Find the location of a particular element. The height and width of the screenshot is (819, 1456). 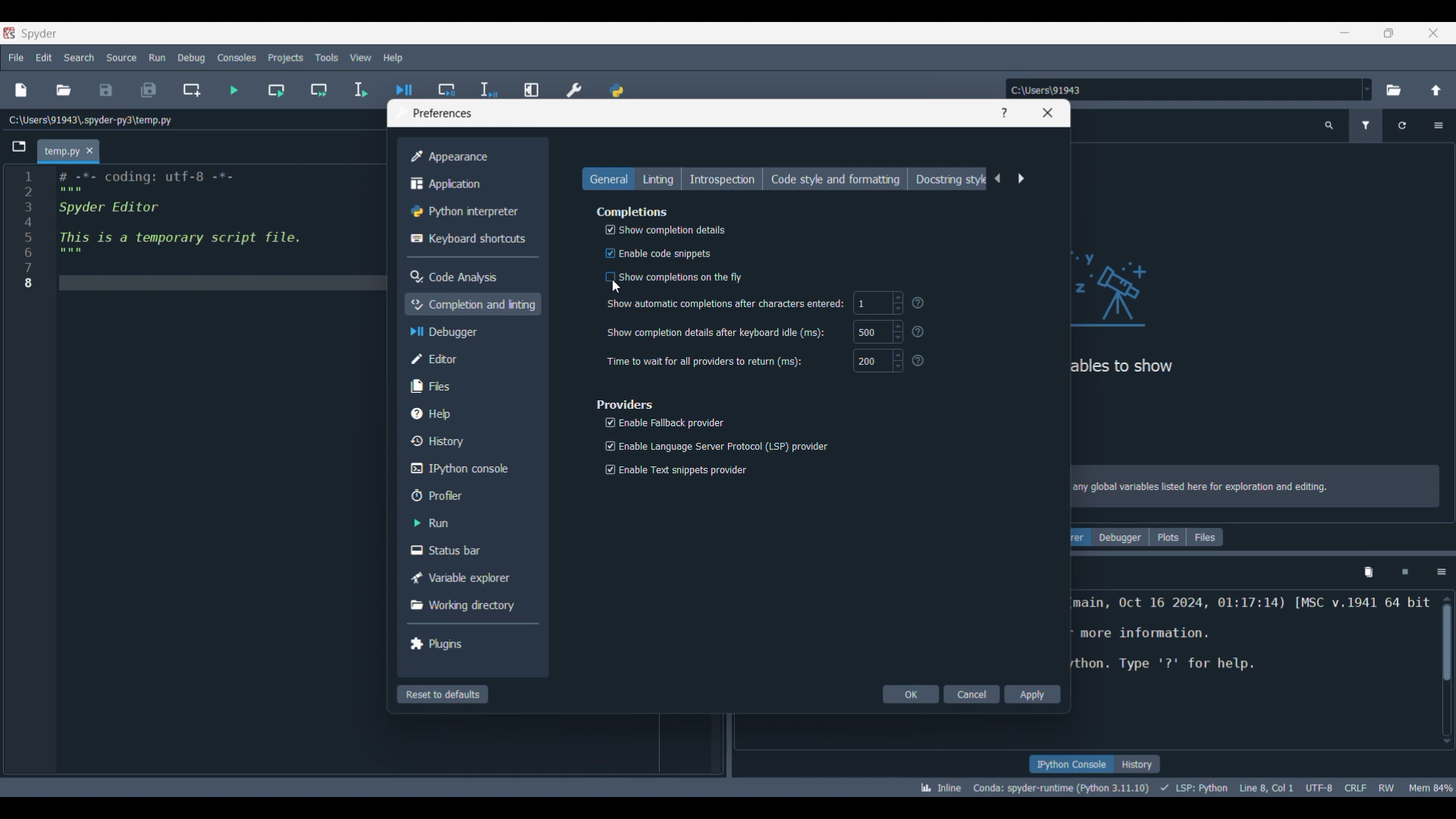

Projects menu is located at coordinates (286, 58).